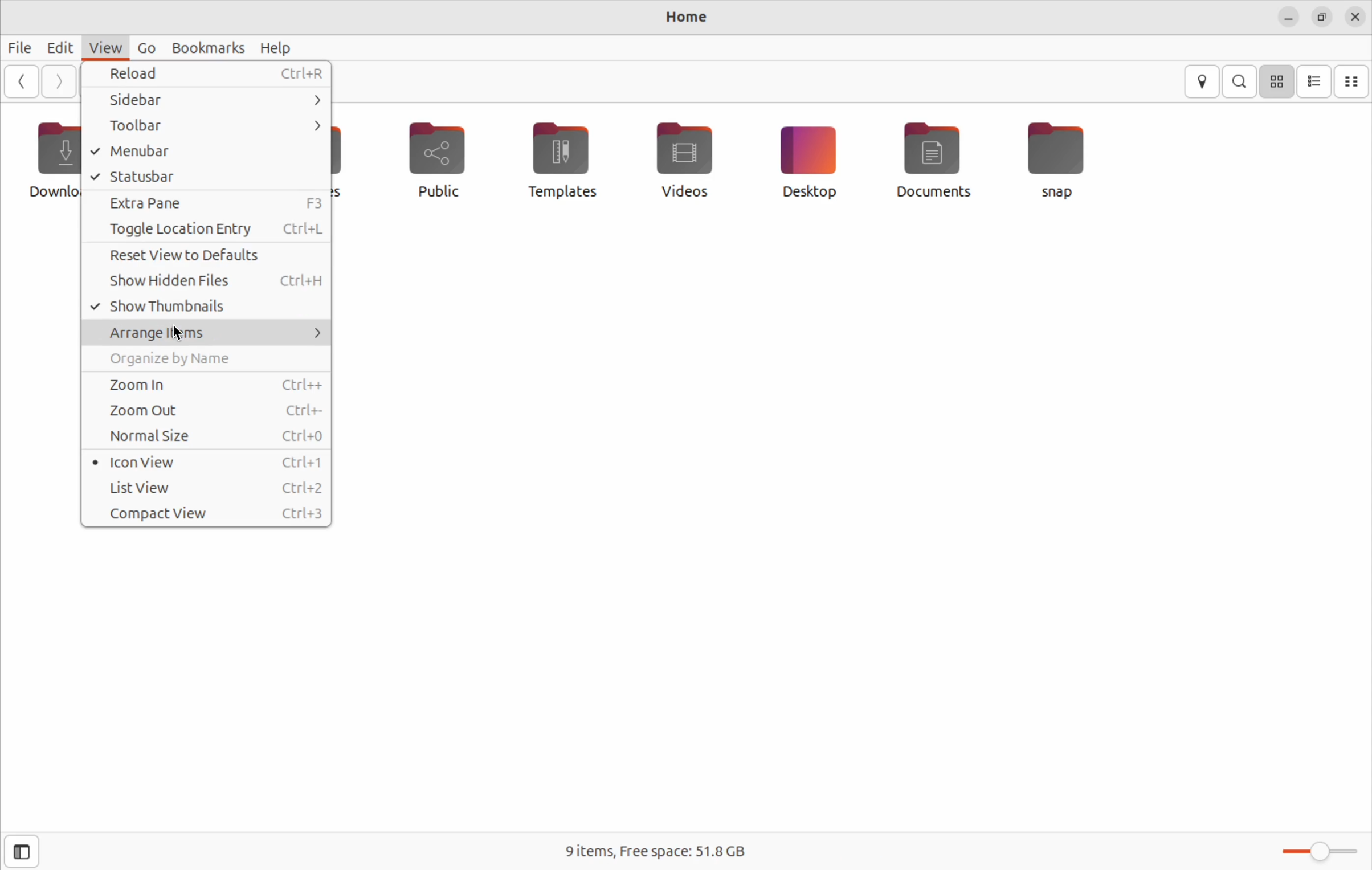 This screenshot has height=870, width=1372. I want to click on normal size, so click(205, 437).